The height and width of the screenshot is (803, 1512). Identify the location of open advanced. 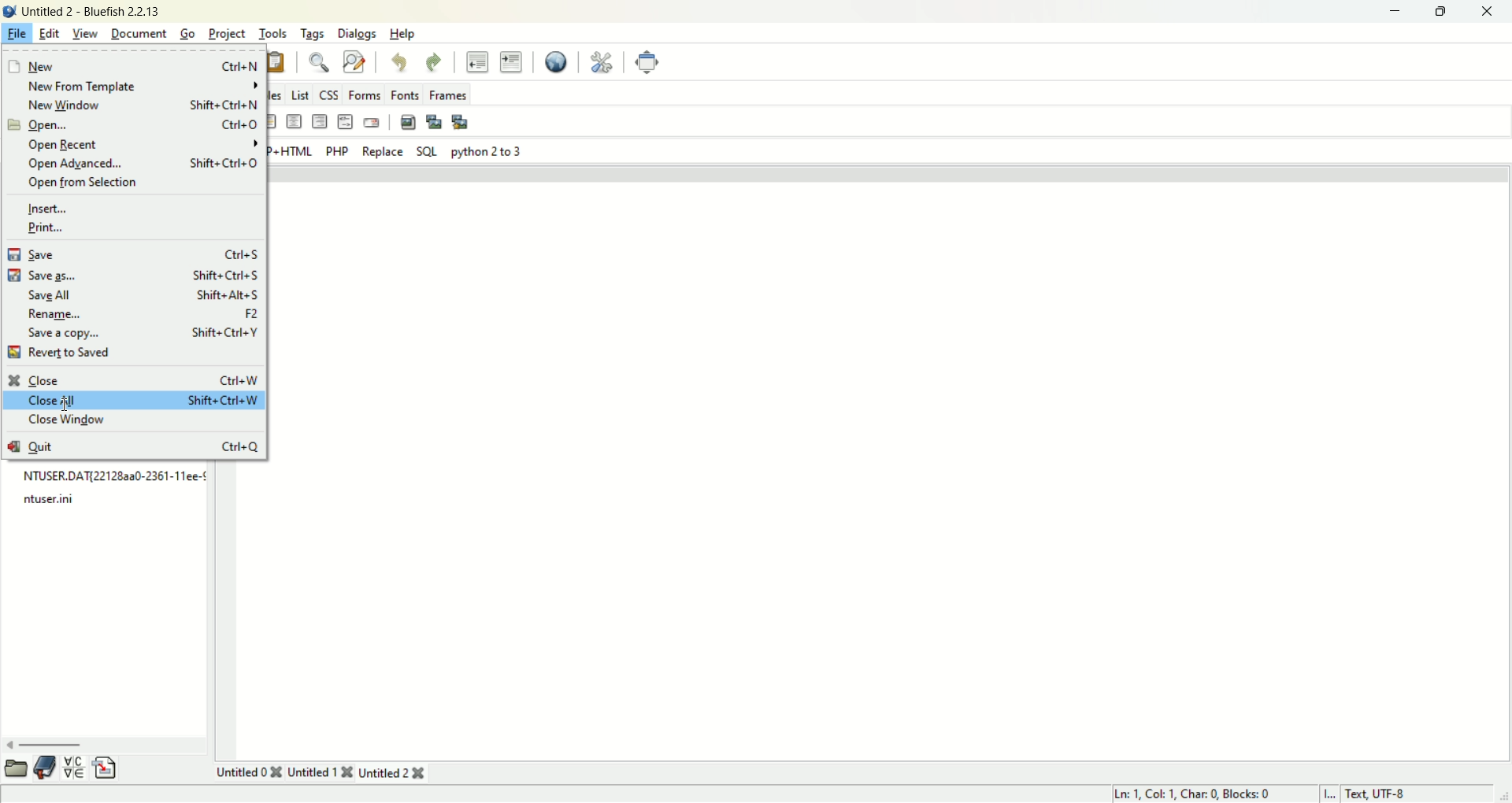
(139, 164).